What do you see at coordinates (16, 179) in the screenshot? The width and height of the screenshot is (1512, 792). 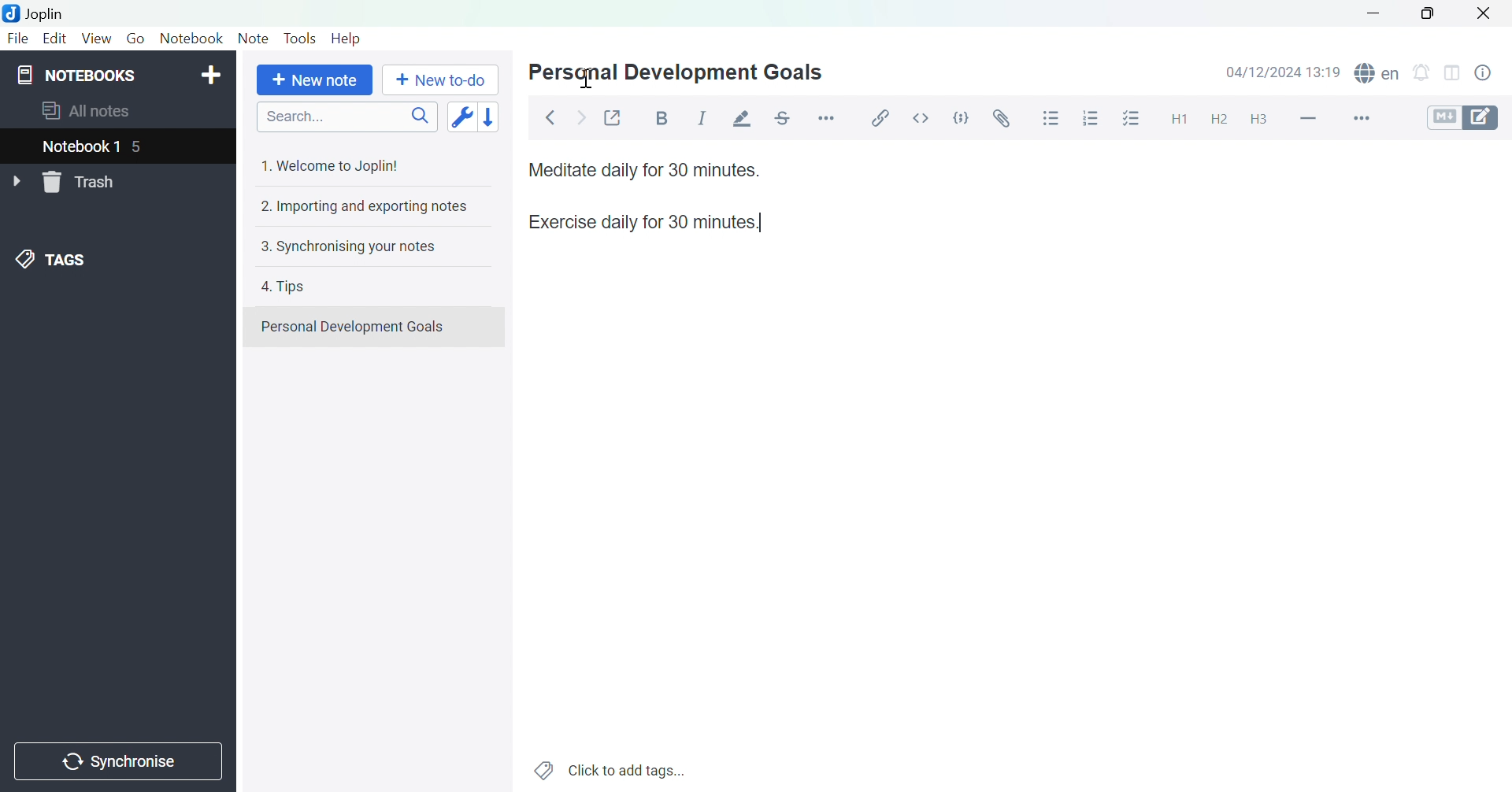 I see `Drop Down` at bounding box center [16, 179].